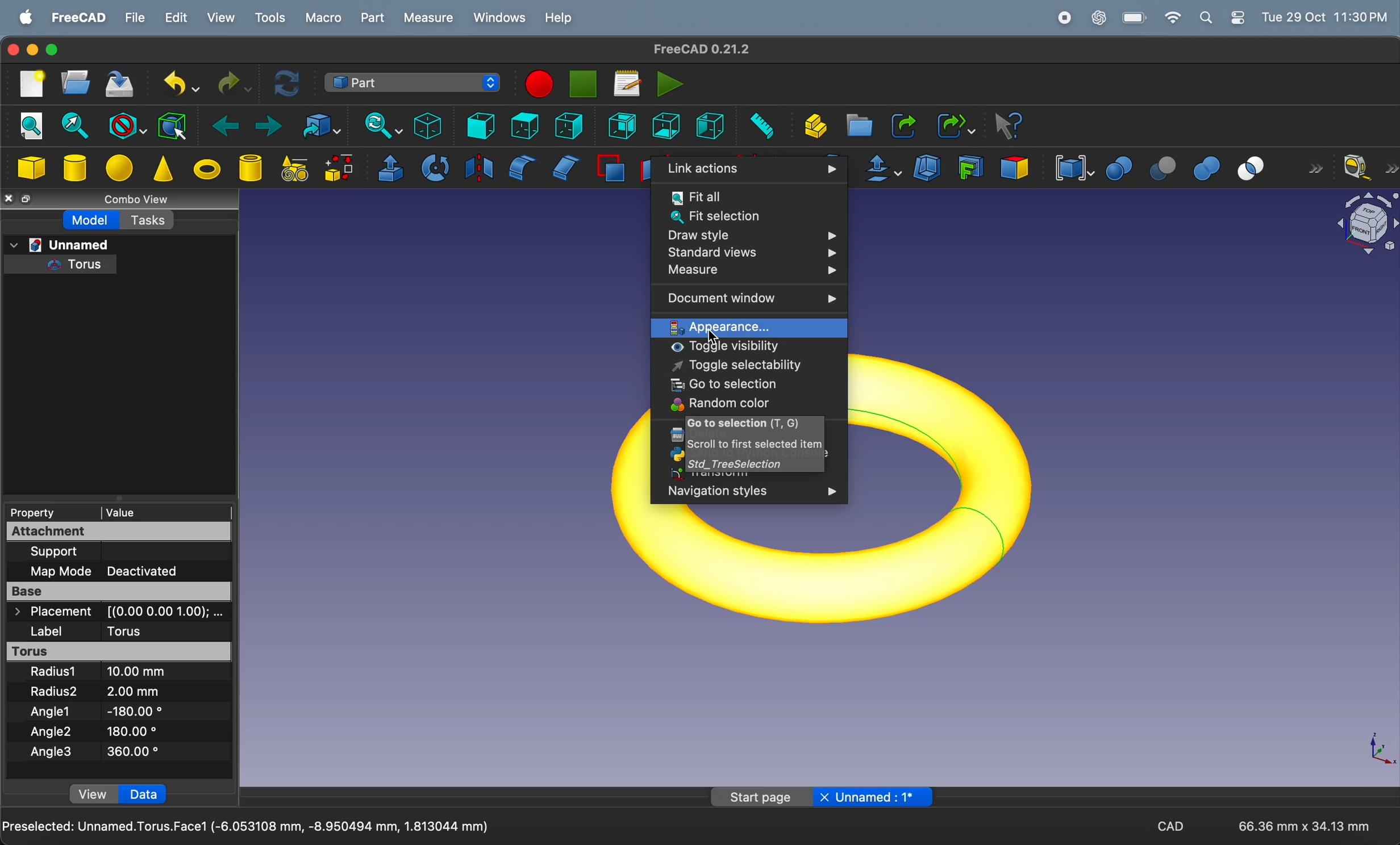 The image size is (1400, 845). What do you see at coordinates (1158, 166) in the screenshot?
I see `cut` at bounding box center [1158, 166].